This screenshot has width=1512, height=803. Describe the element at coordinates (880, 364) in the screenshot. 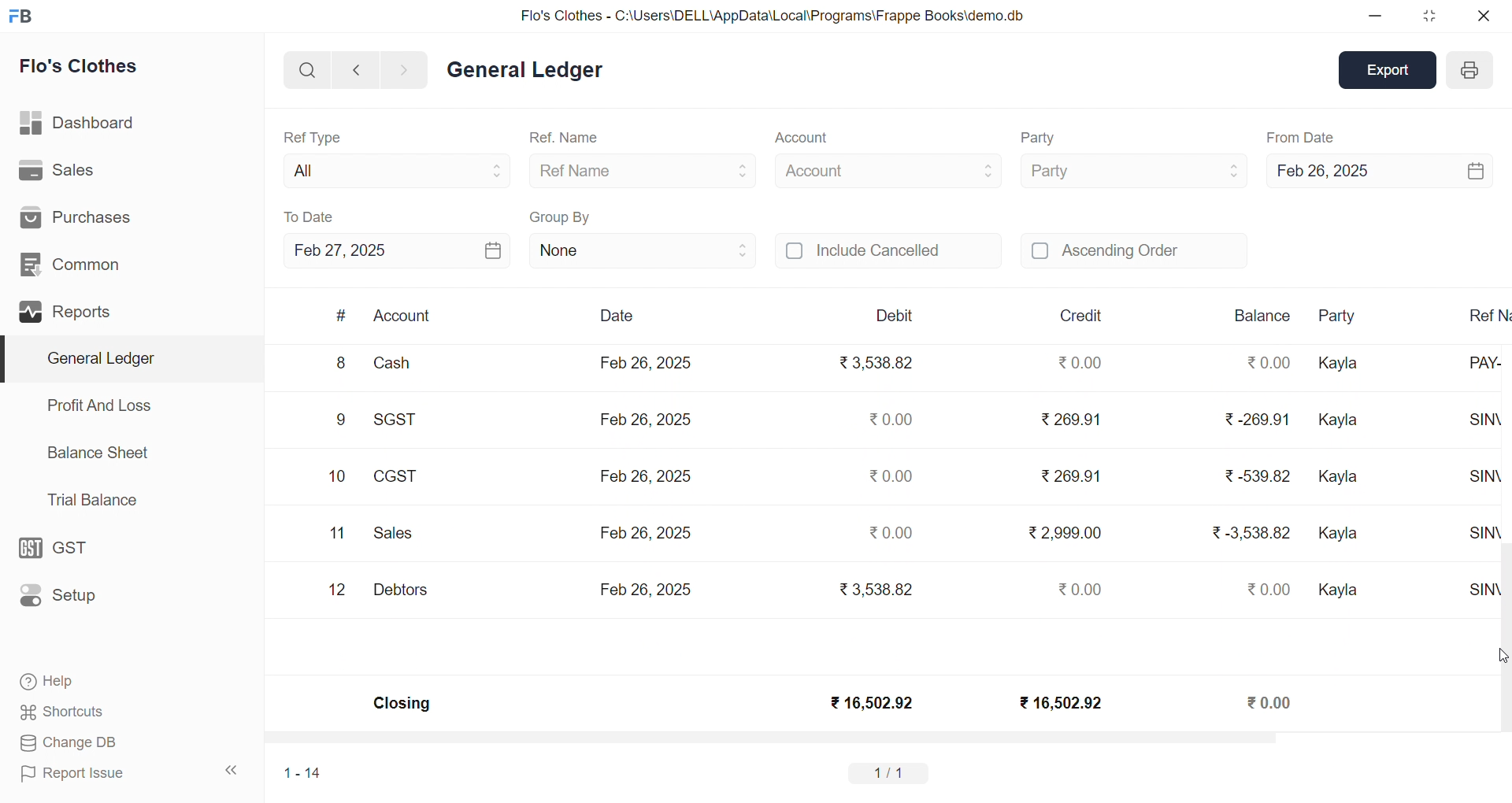

I see `₹3538.82` at that location.